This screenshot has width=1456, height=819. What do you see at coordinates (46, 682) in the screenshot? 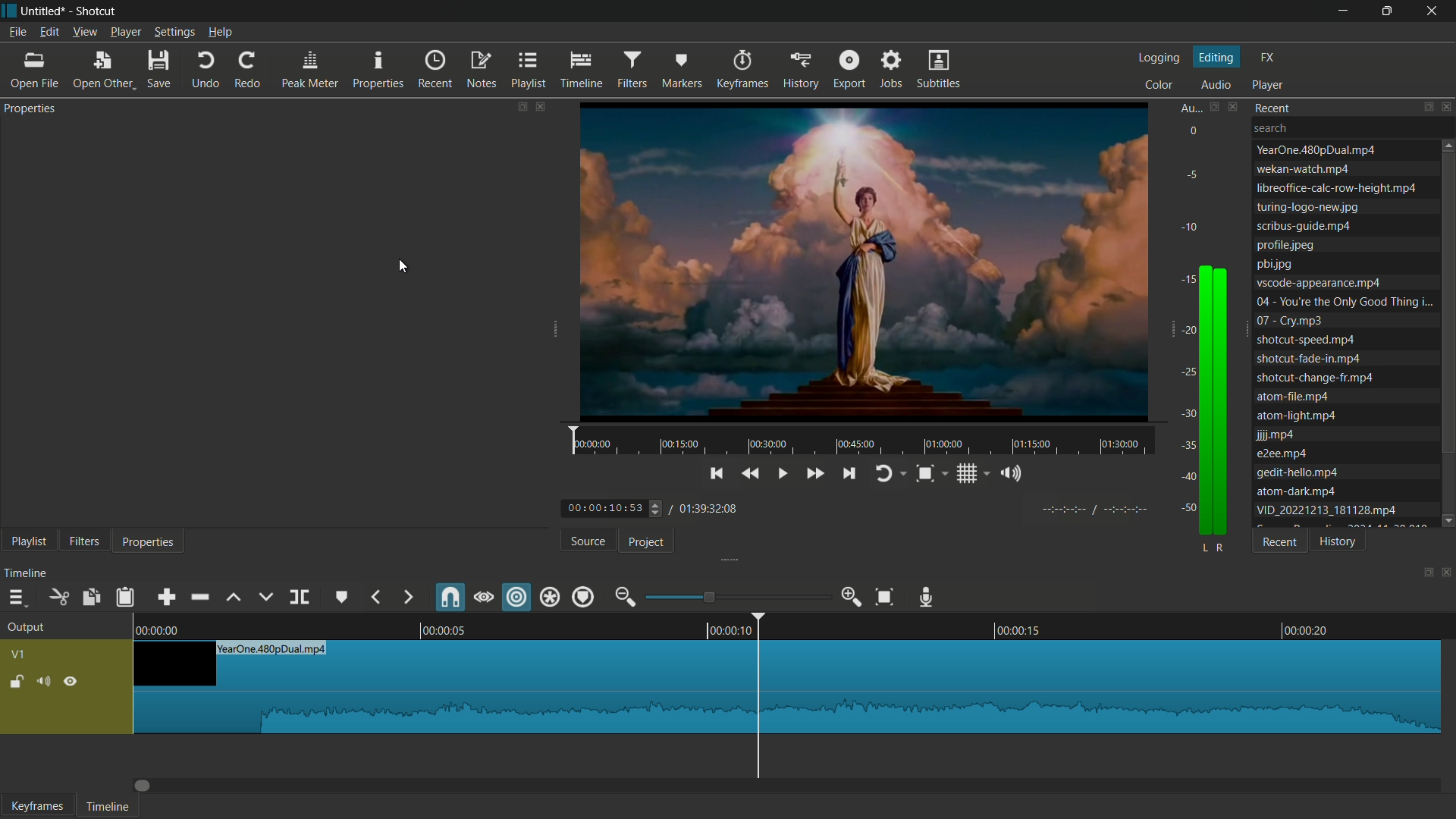
I see `mute` at bounding box center [46, 682].